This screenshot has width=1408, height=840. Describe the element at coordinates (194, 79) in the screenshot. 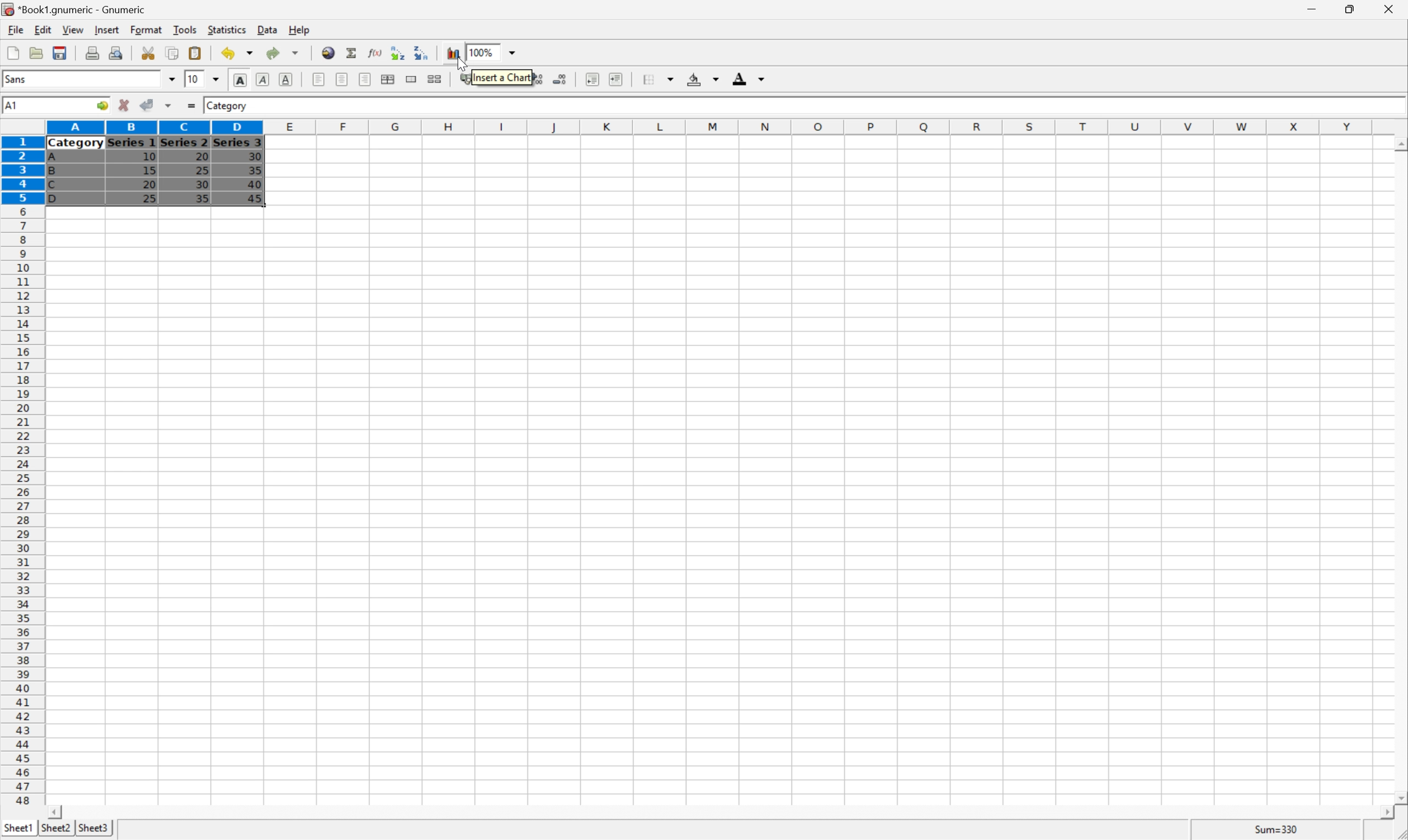

I see `10` at that location.